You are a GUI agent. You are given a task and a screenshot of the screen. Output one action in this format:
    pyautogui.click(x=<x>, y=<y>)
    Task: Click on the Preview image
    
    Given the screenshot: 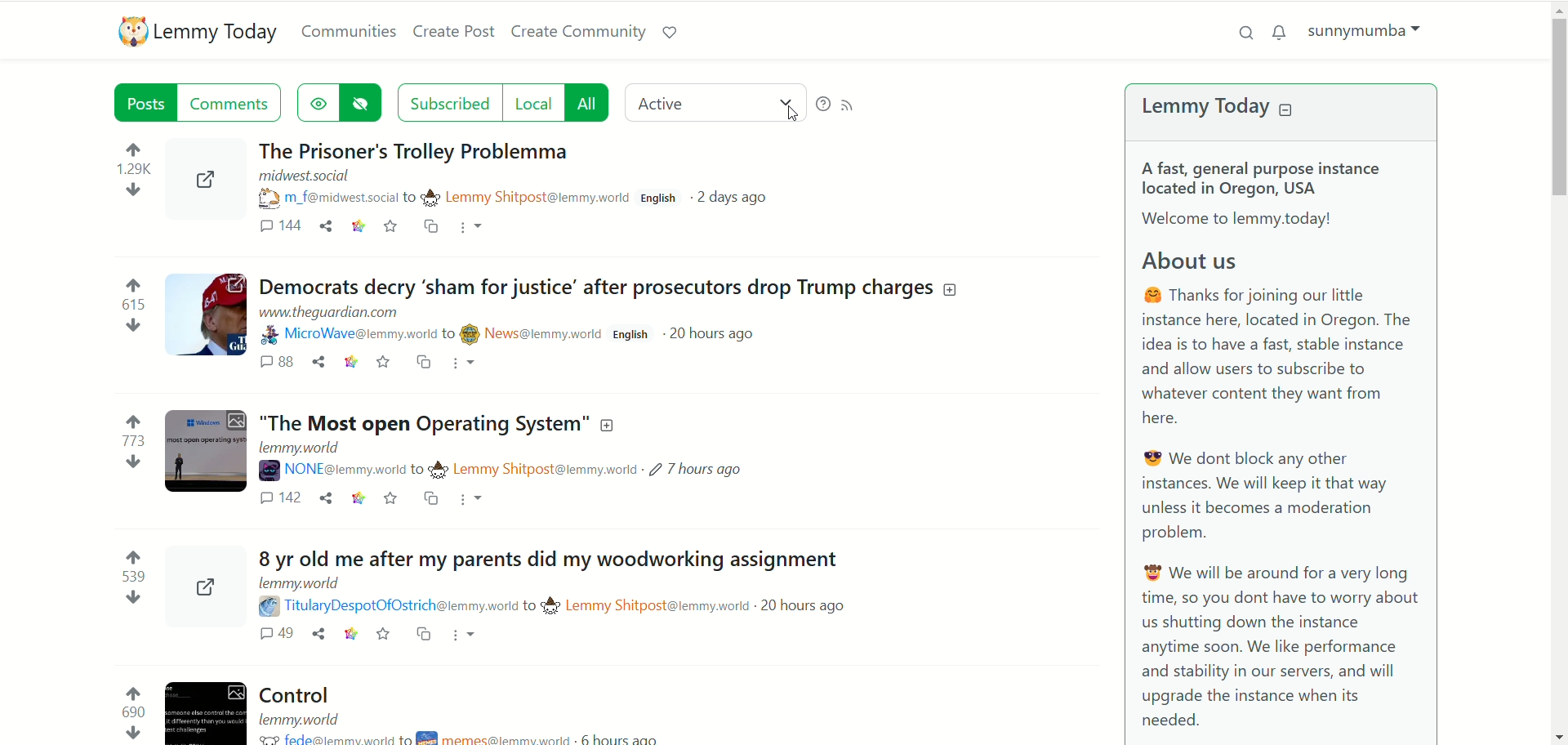 What is the action you would take?
    pyautogui.click(x=203, y=587)
    